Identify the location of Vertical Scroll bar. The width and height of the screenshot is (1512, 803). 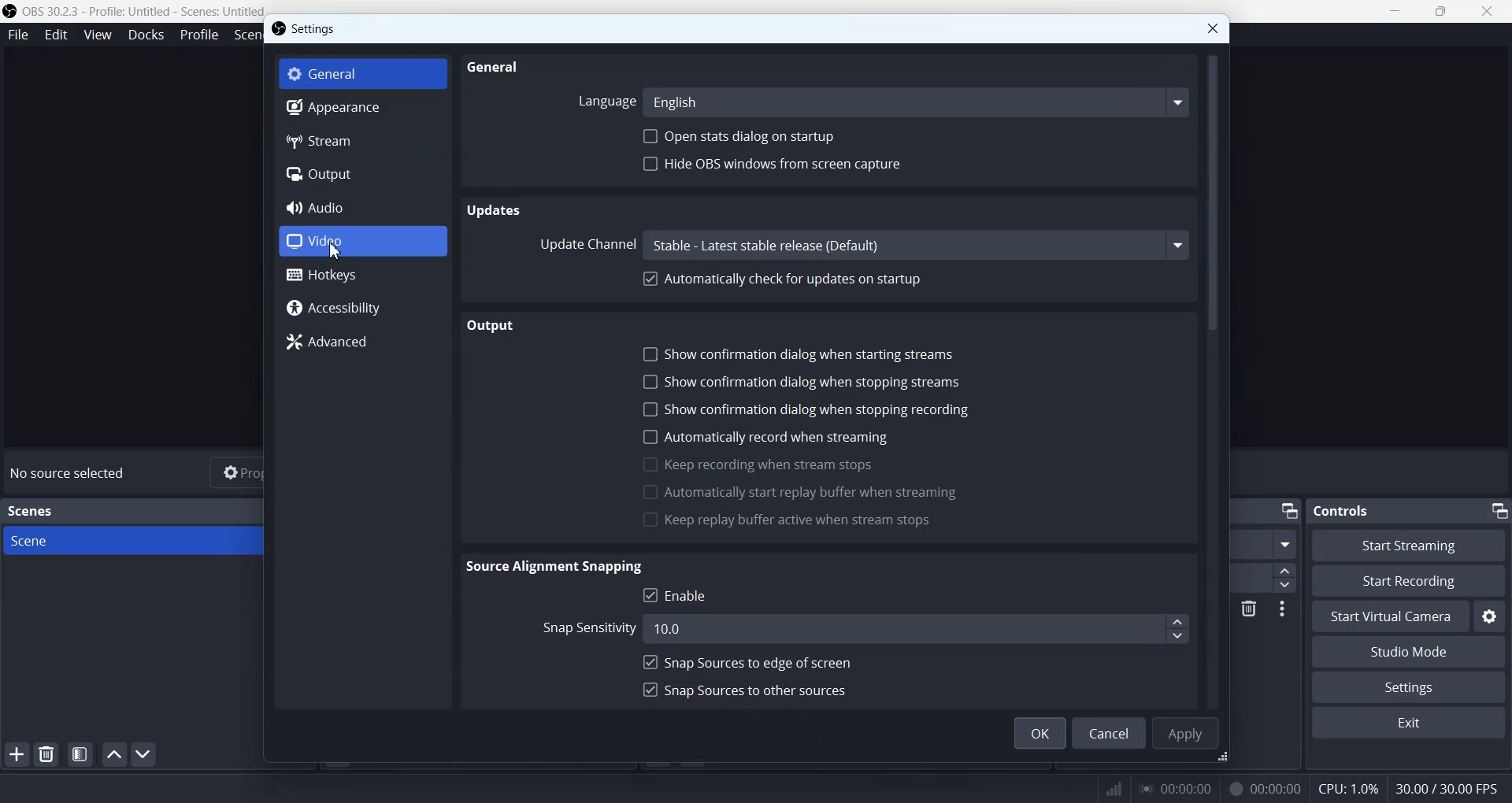
(1214, 377).